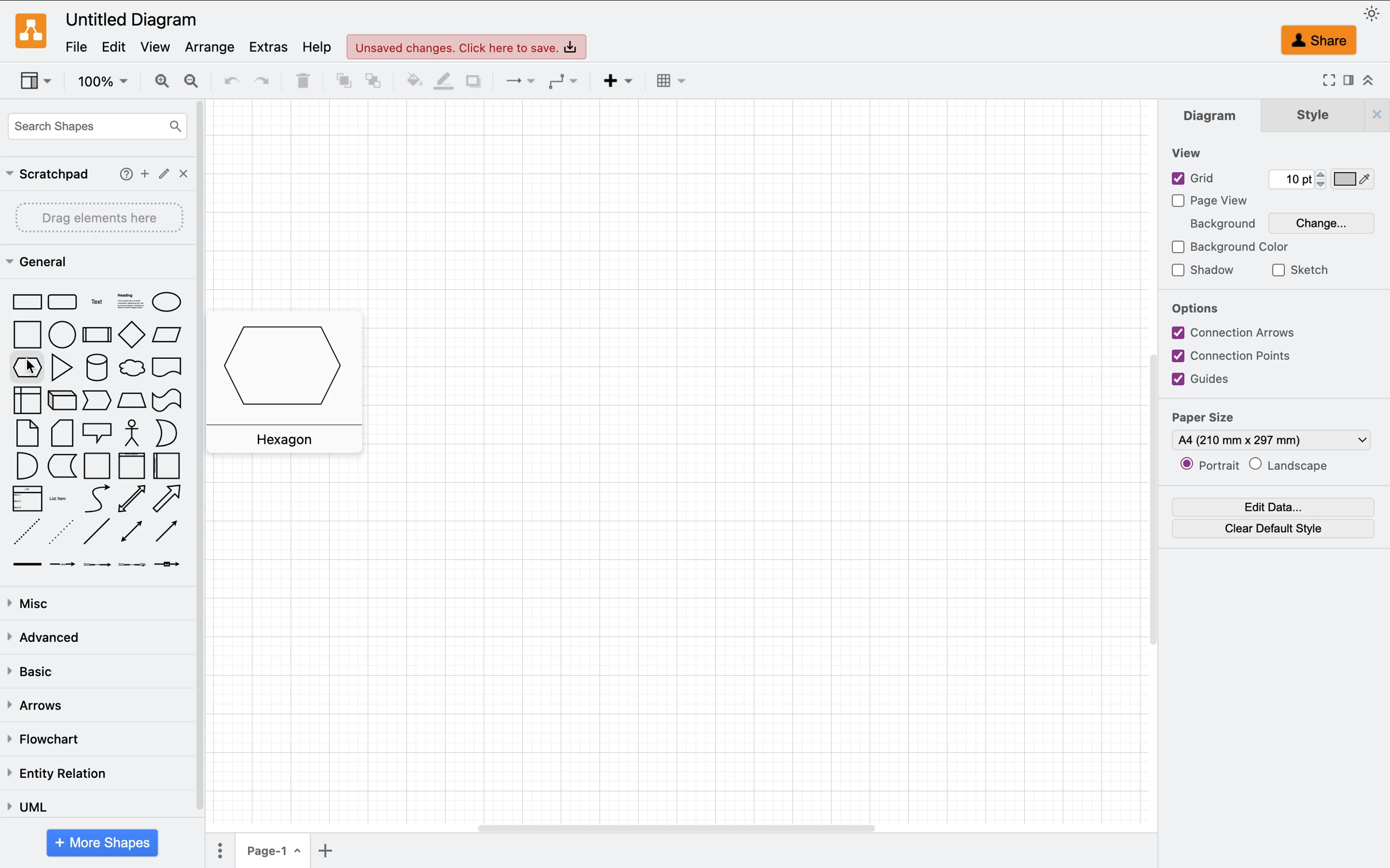 The width and height of the screenshot is (1390, 868). What do you see at coordinates (169, 434) in the screenshot?
I see `or` at bounding box center [169, 434].